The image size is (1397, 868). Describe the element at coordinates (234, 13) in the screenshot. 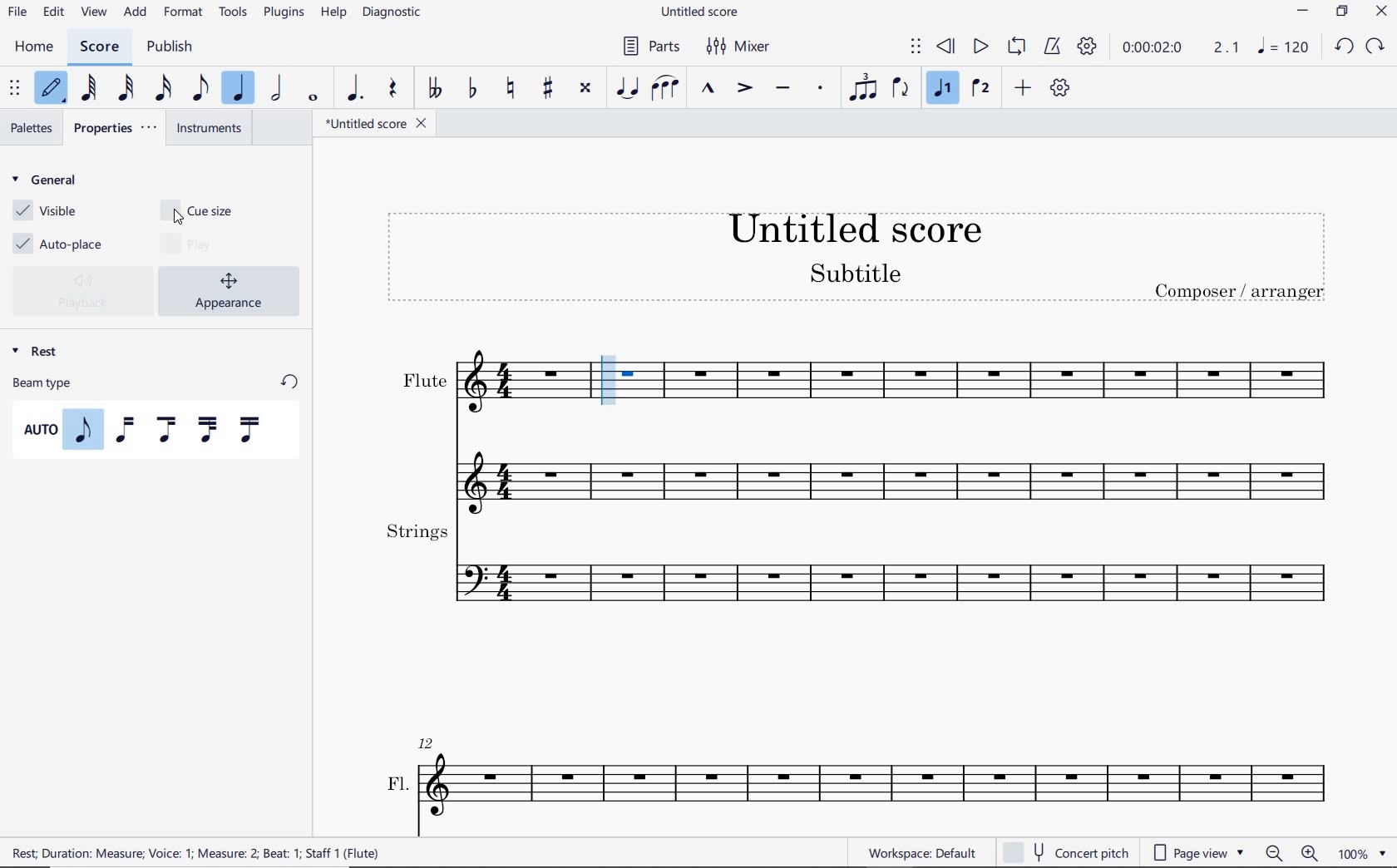

I see `TOOLS` at that location.